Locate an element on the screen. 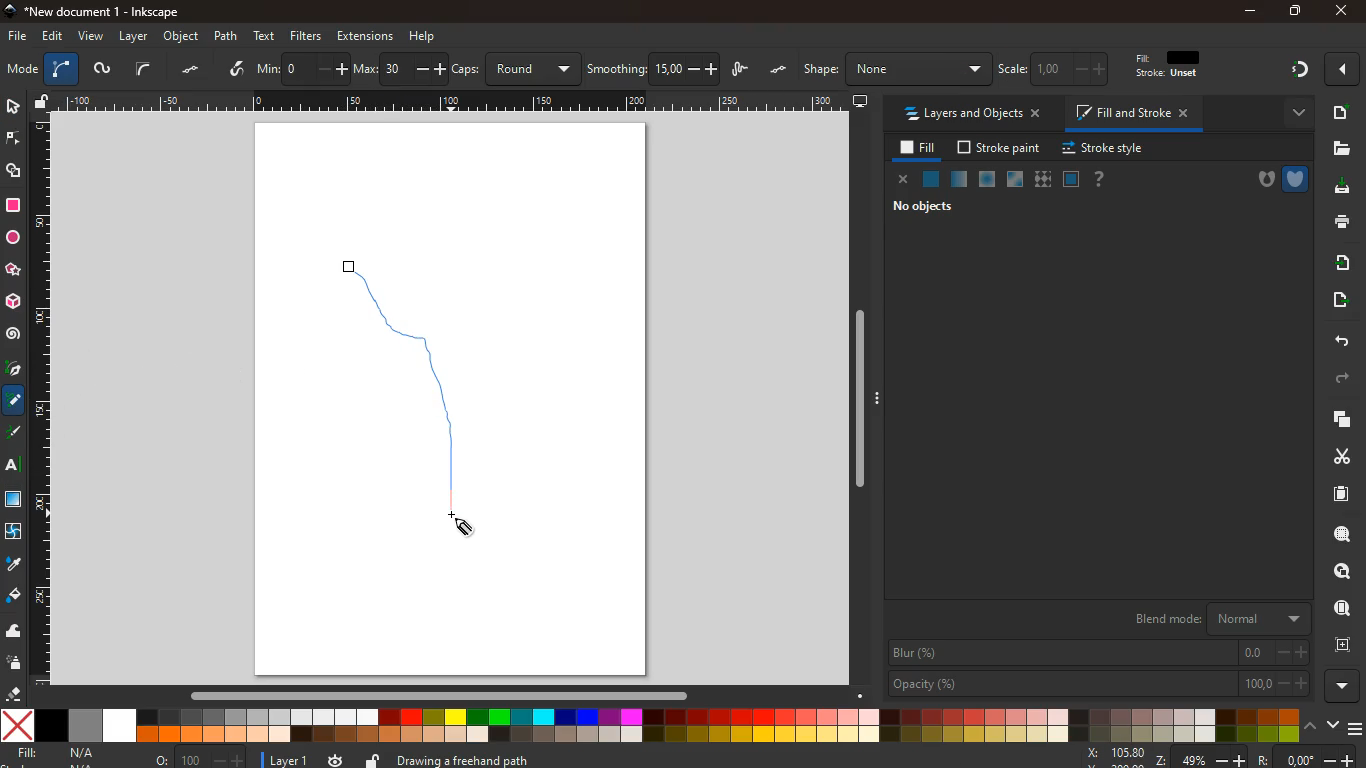 Image resolution: width=1366 pixels, height=768 pixels. paper is located at coordinates (1339, 493).